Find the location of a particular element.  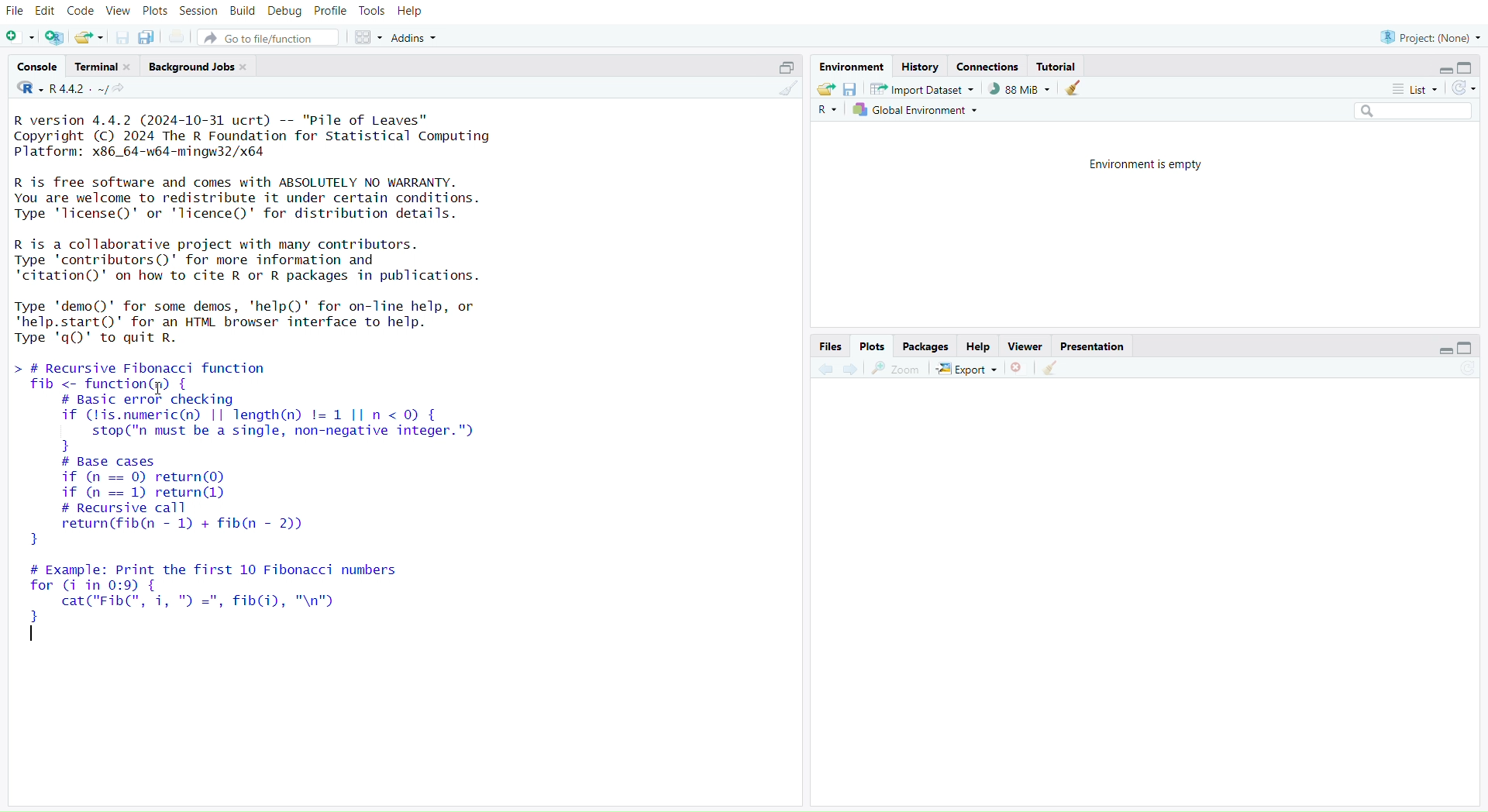

import dataset is located at coordinates (923, 89).